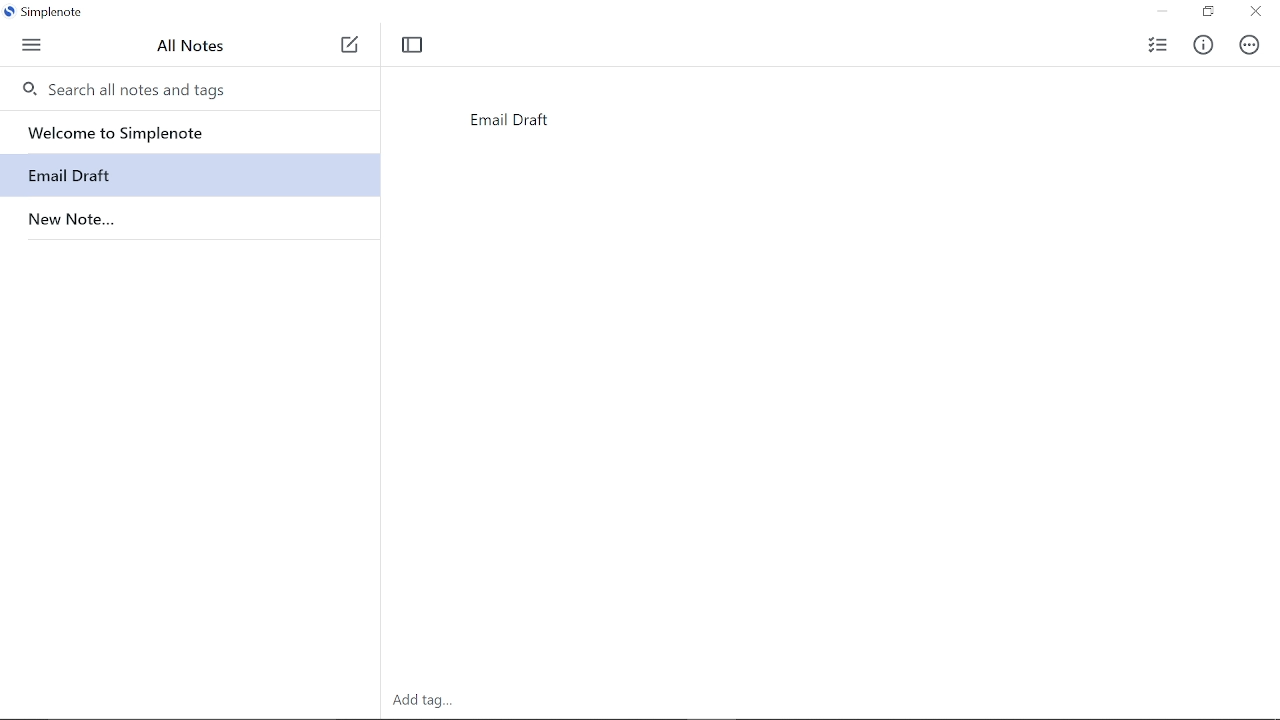  What do you see at coordinates (349, 46) in the screenshot?
I see `Add note` at bounding box center [349, 46].